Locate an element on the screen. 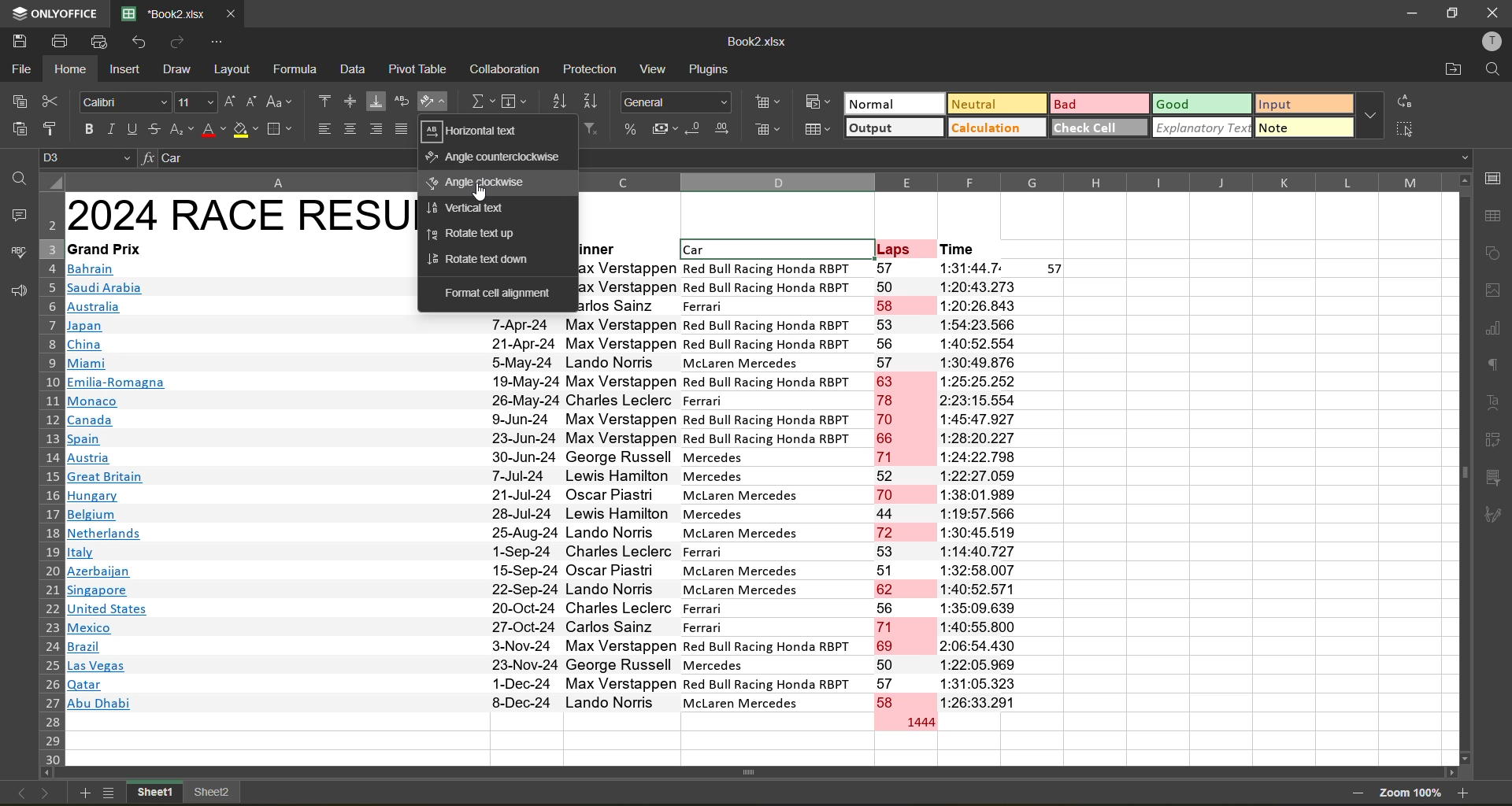  Cursor is located at coordinates (480, 194).